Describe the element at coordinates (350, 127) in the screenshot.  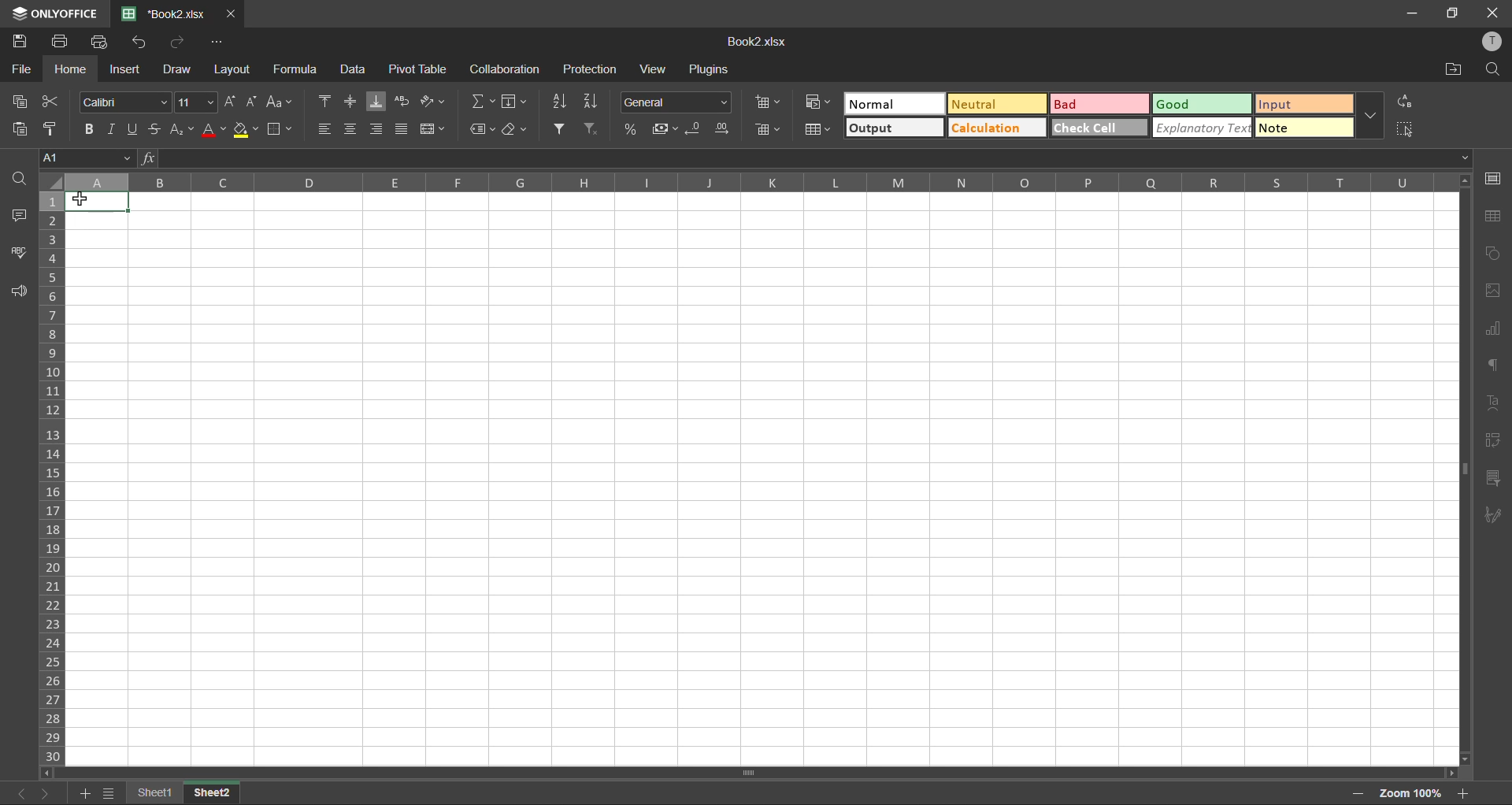
I see `align center` at that location.